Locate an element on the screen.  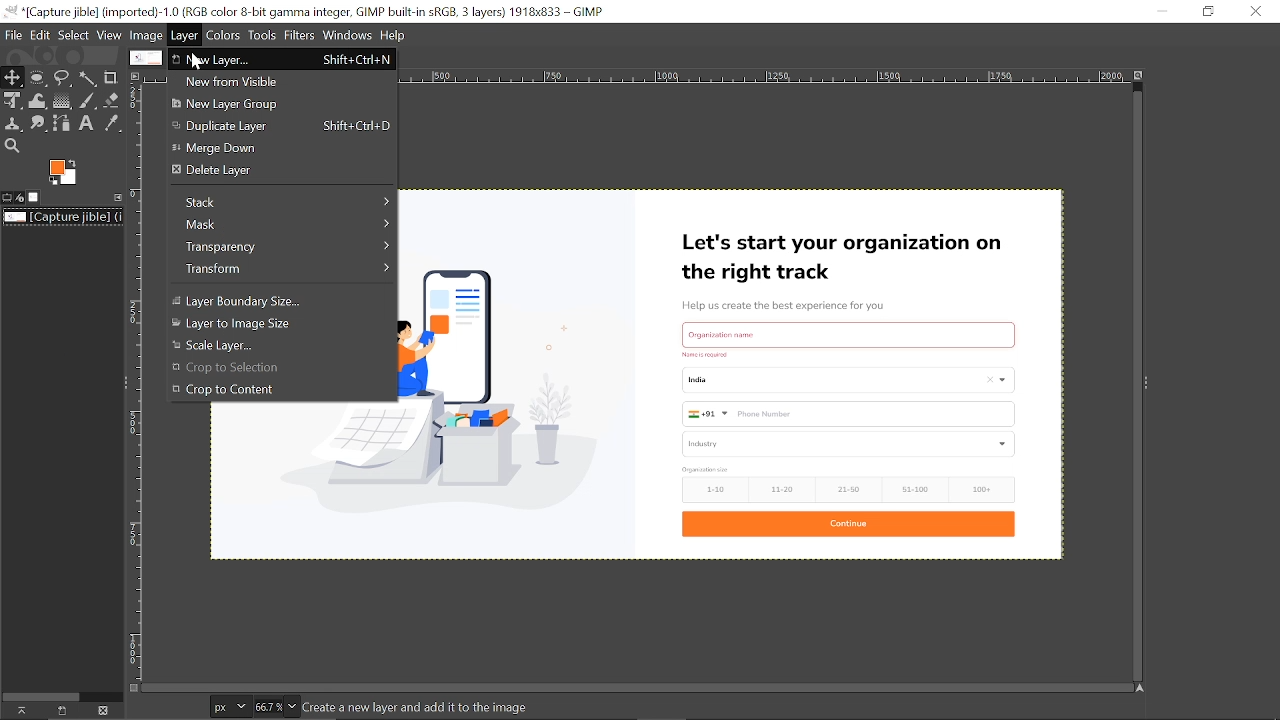
Current zoom is located at coordinates (266, 706).